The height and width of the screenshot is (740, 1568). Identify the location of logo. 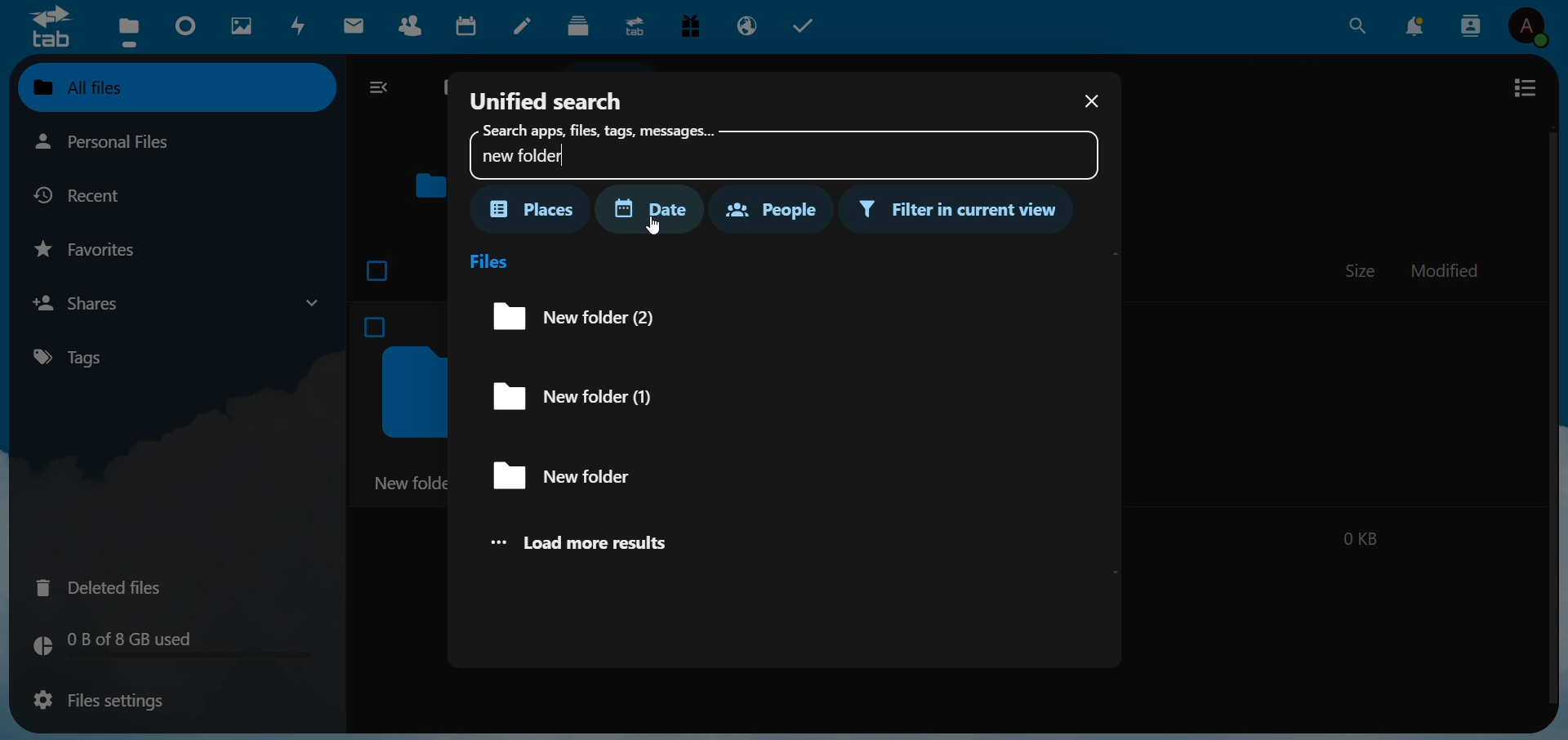
(49, 26).